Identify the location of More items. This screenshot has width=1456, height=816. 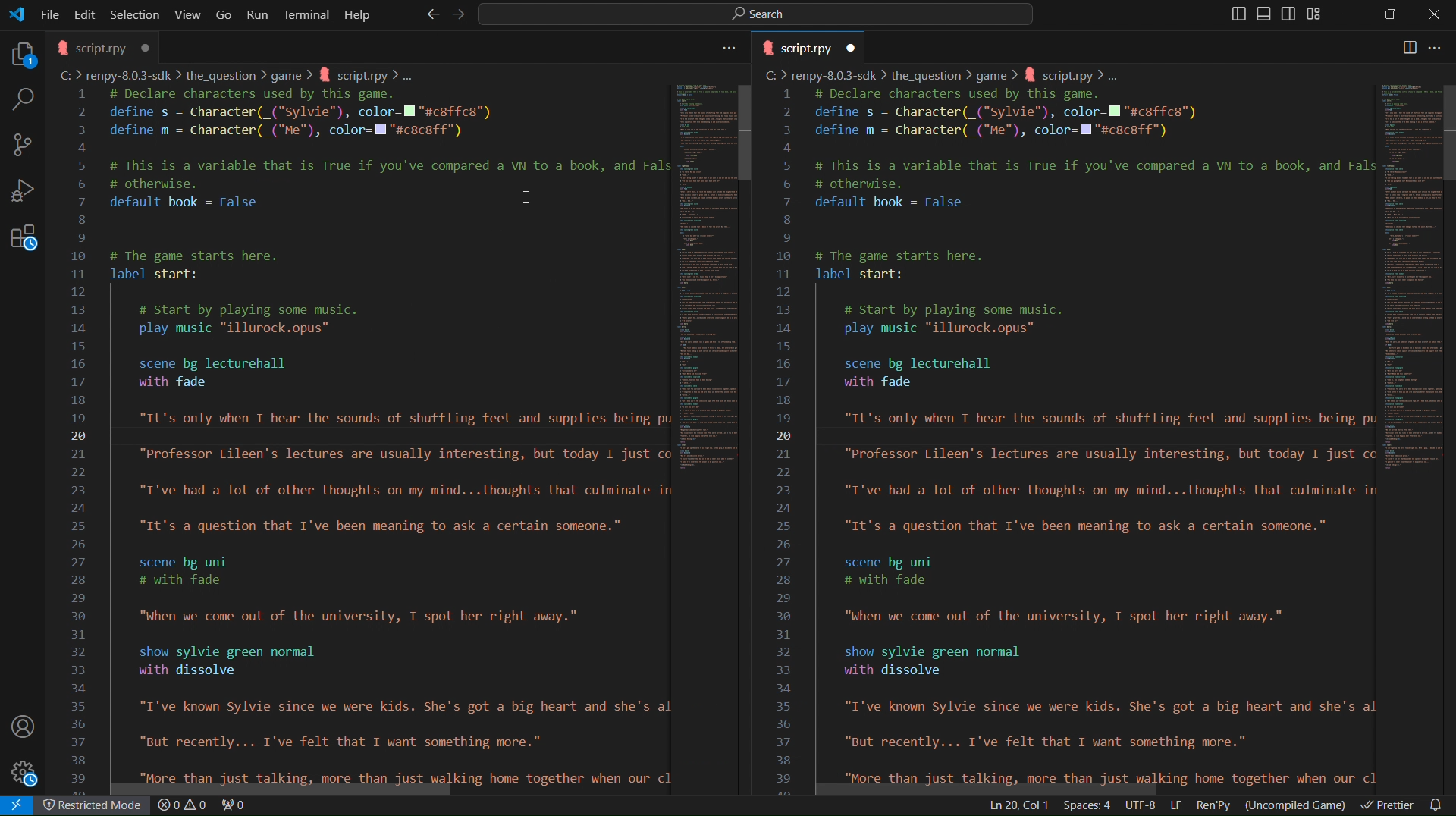
(726, 50).